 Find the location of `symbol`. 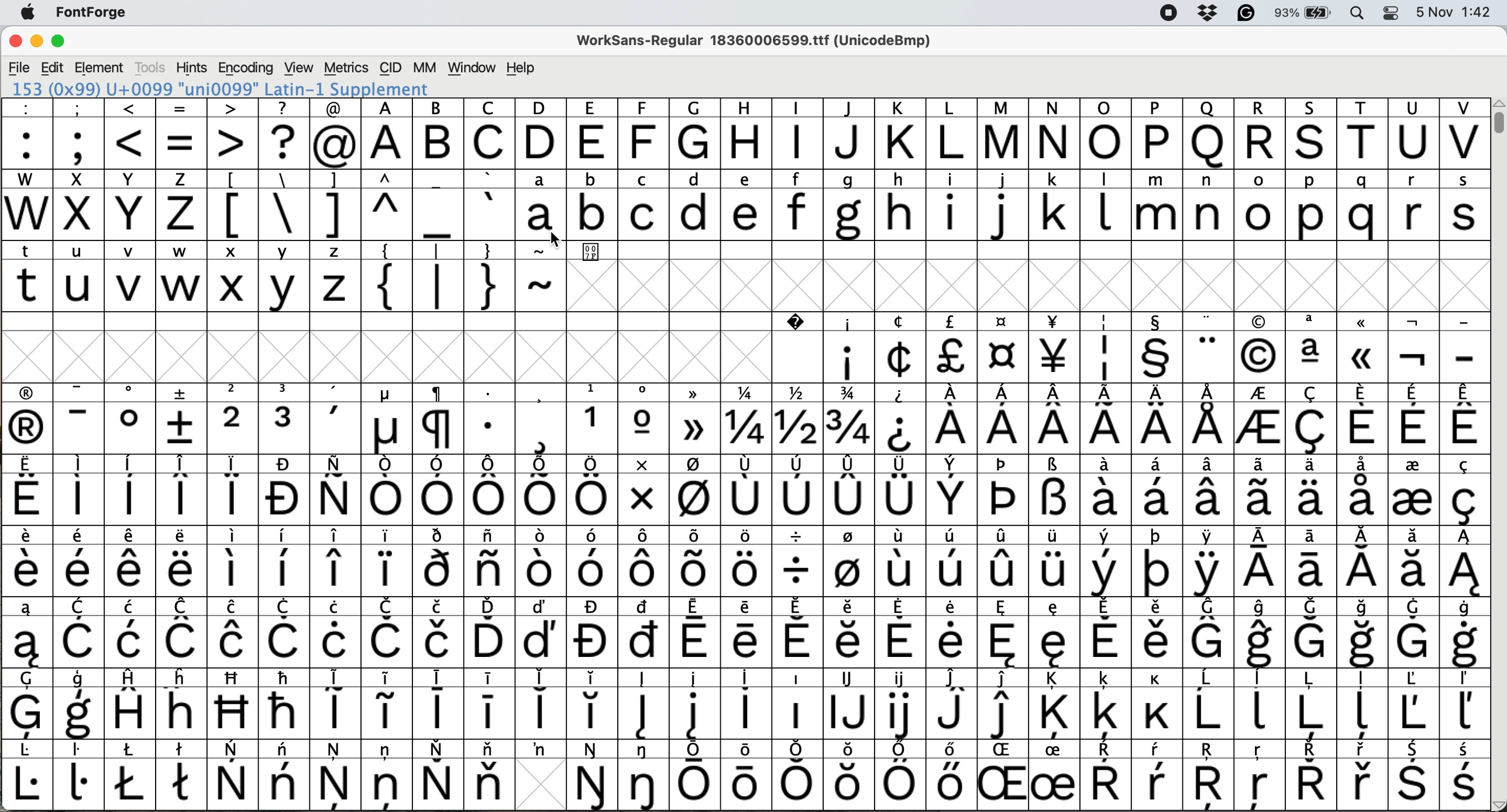

symbol is located at coordinates (592, 490).